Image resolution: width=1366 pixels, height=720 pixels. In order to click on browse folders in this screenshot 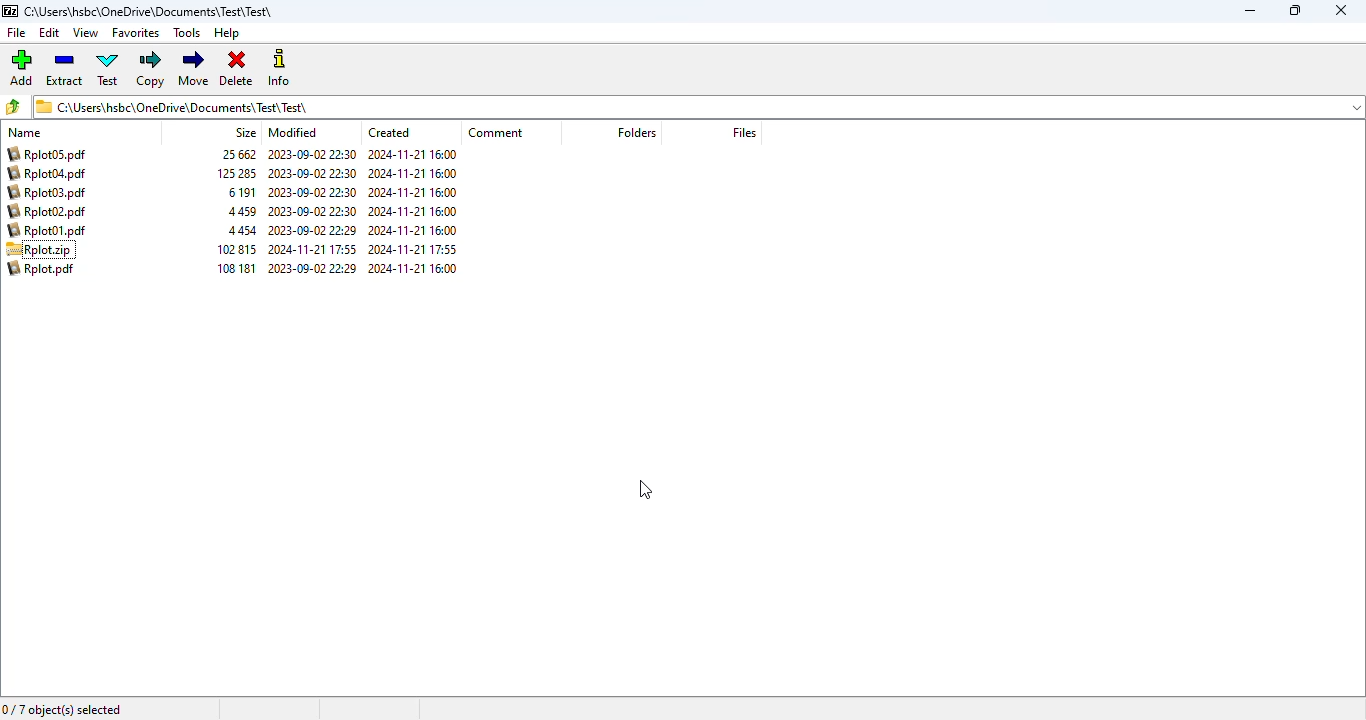, I will do `click(12, 106)`.